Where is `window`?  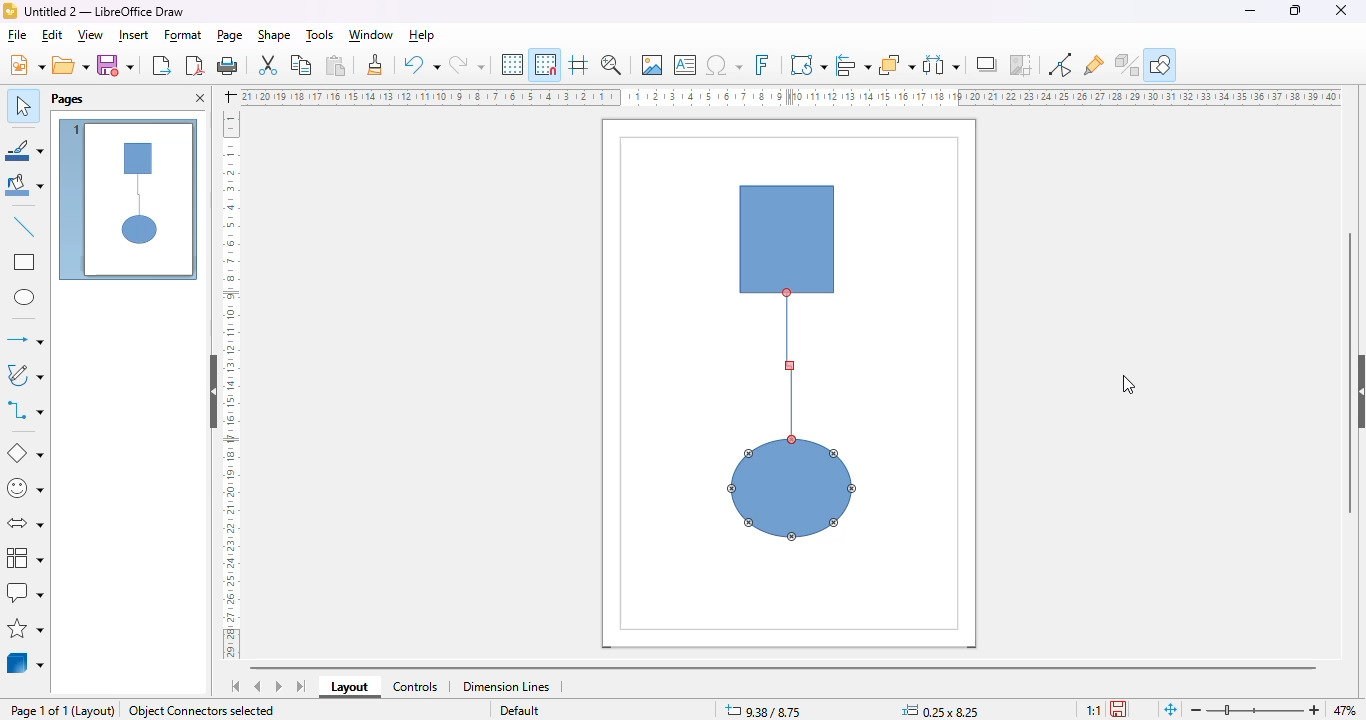 window is located at coordinates (371, 35).